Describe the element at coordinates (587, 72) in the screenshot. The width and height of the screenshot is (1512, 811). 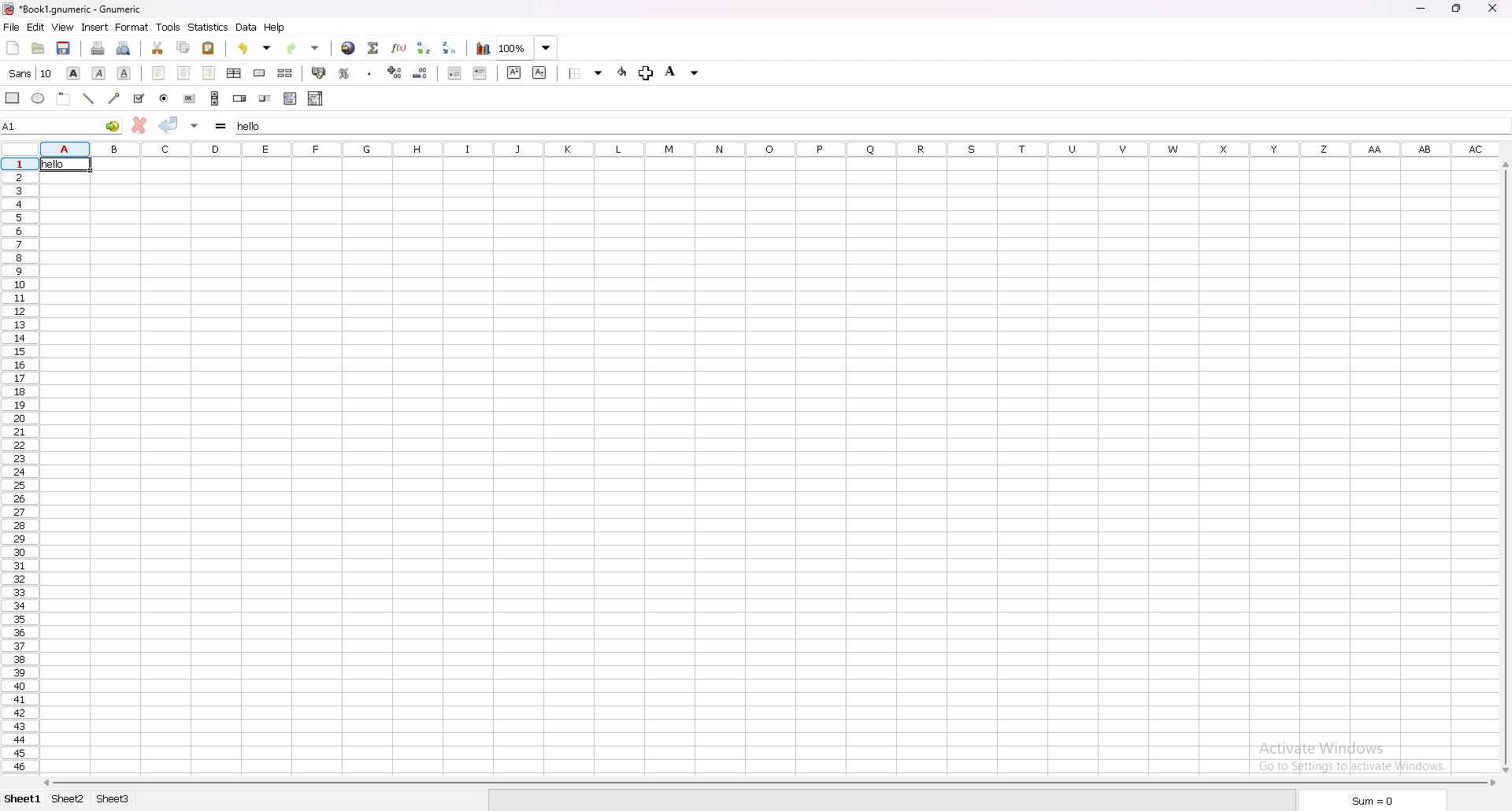
I see `border` at that location.